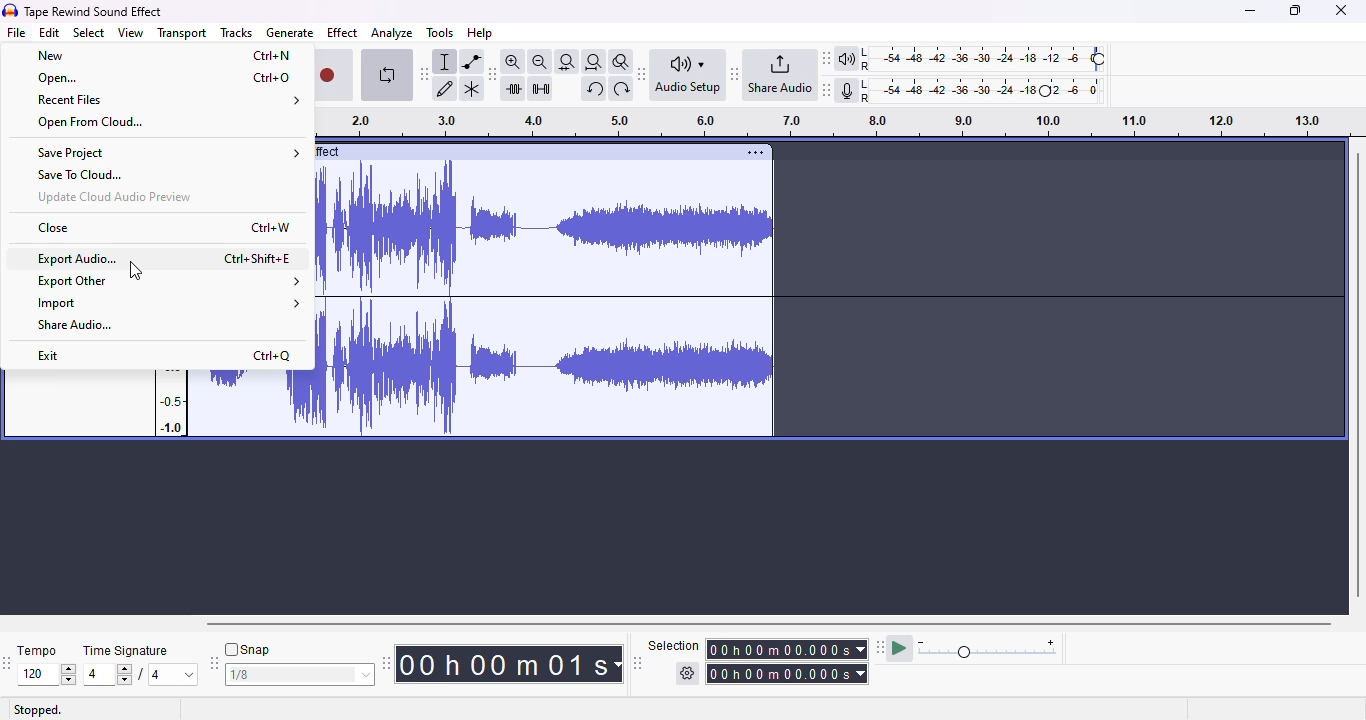  What do you see at coordinates (273, 356) in the screenshot?
I see `shortcut for exit` at bounding box center [273, 356].